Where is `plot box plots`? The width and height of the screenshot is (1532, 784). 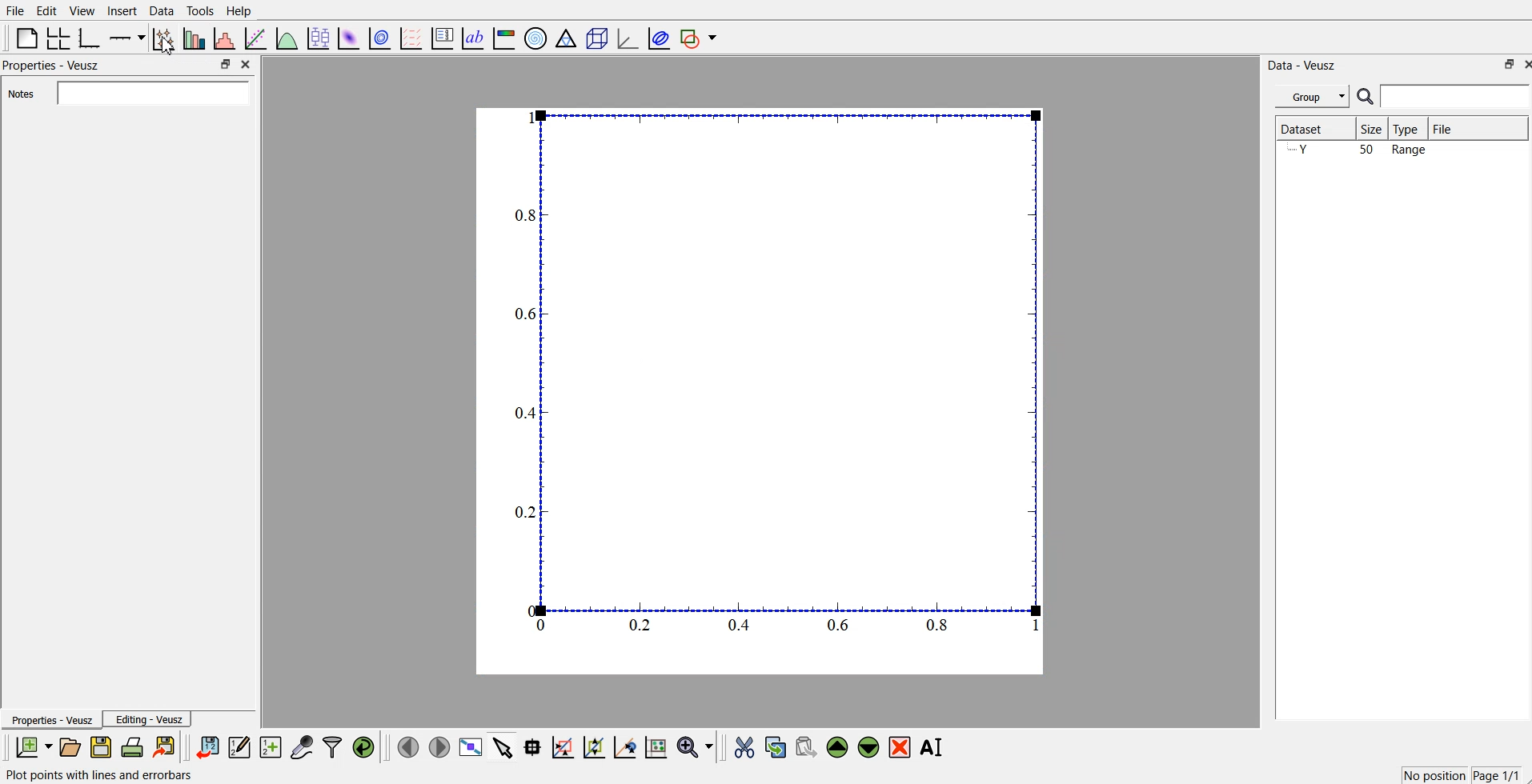
plot box plots is located at coordinates (321, 38).